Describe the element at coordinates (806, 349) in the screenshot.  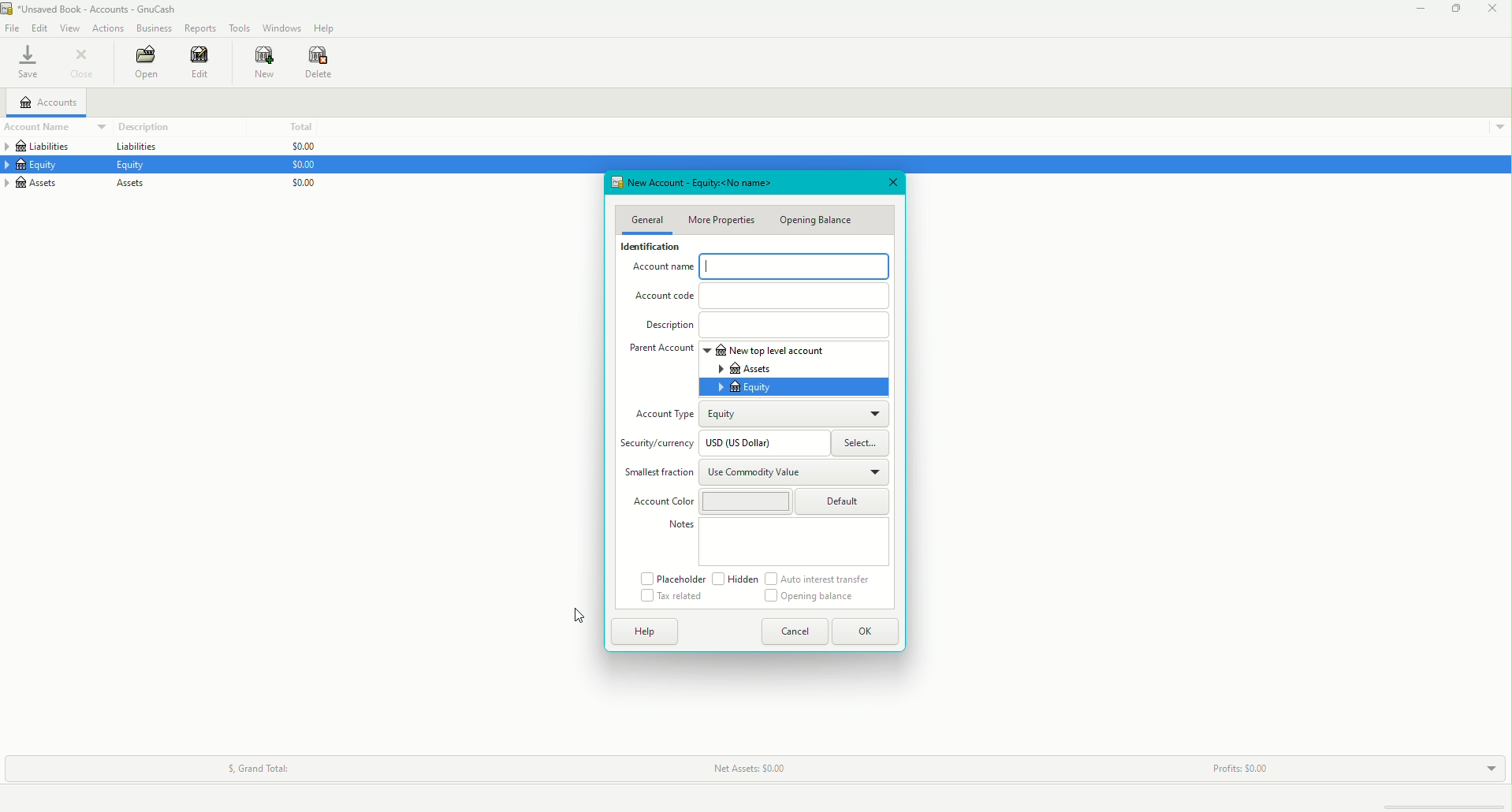
I see `New top level account` at that location.